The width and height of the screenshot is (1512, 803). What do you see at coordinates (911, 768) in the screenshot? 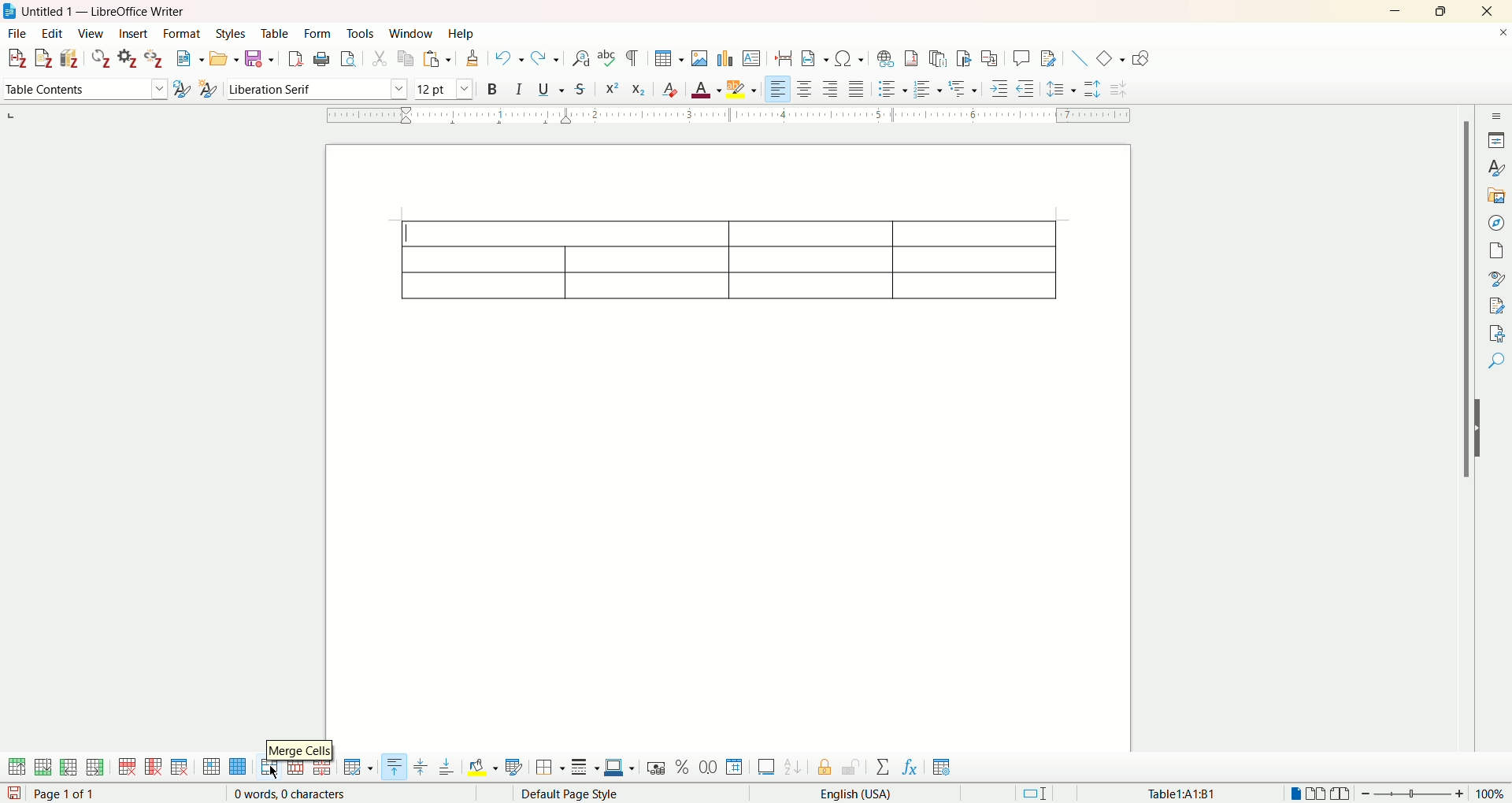
I see `insert formula` at bounding box center [911, 768].